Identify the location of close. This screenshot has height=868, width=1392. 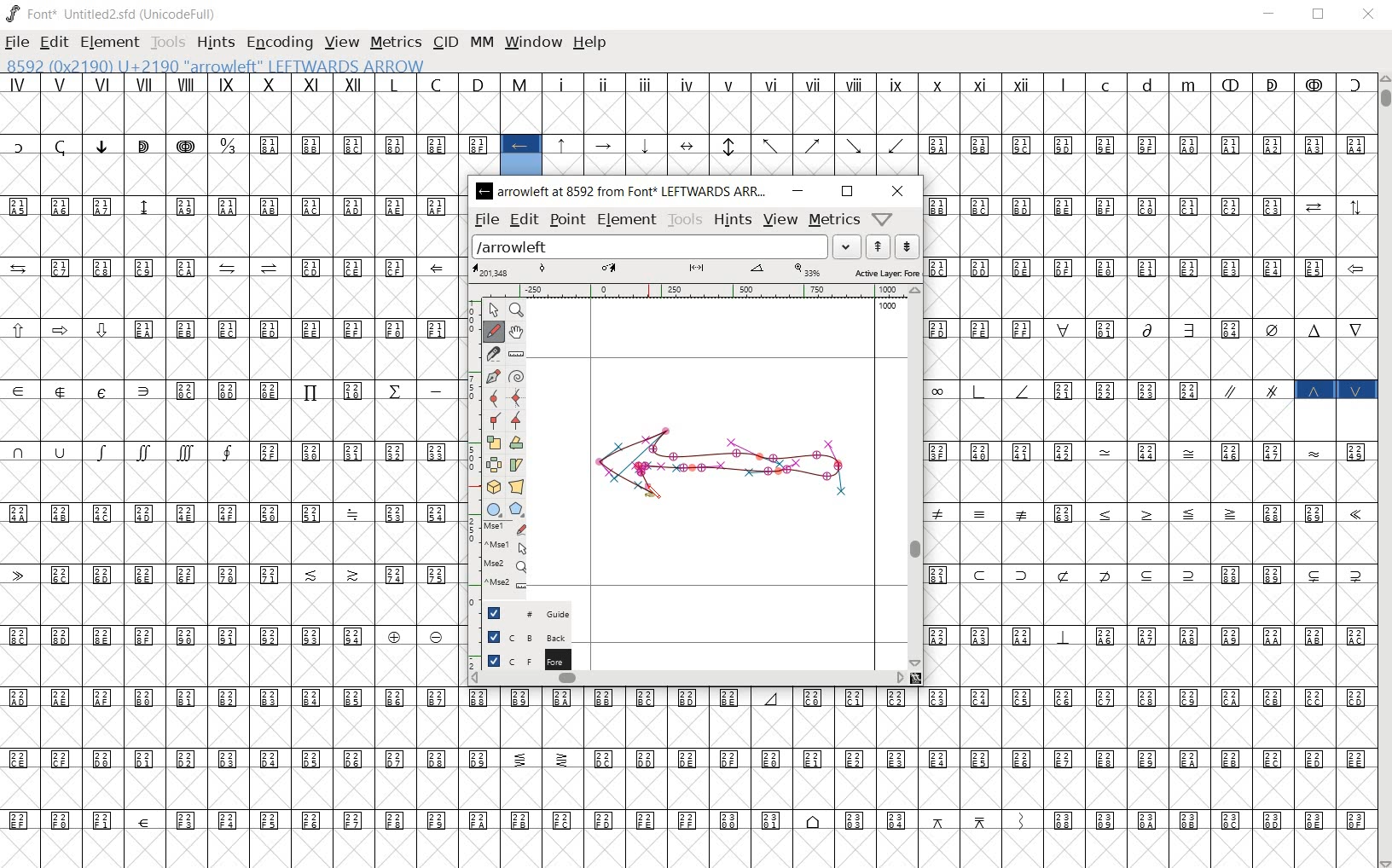
(896, 191).